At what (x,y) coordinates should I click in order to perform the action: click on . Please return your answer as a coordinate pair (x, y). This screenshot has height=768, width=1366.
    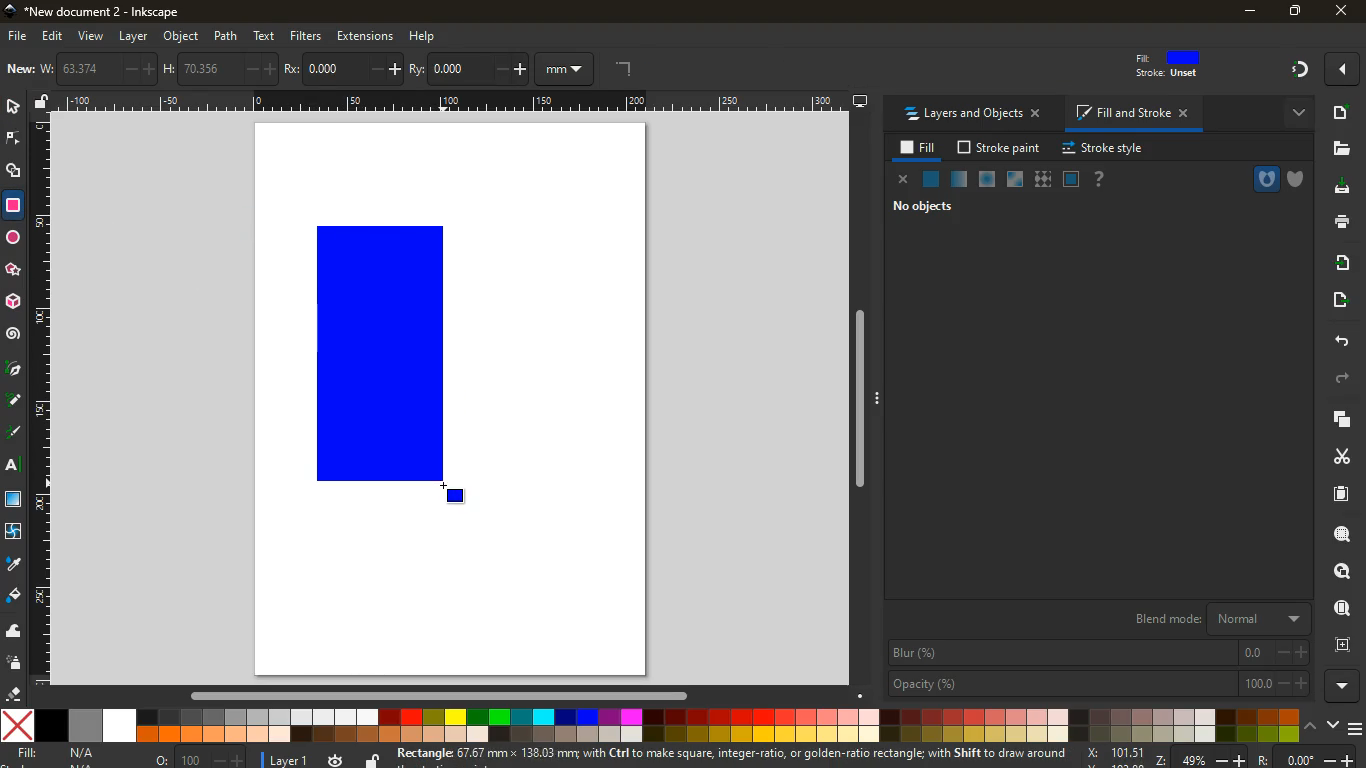
    Looking at the image, I should click on (442, 694).